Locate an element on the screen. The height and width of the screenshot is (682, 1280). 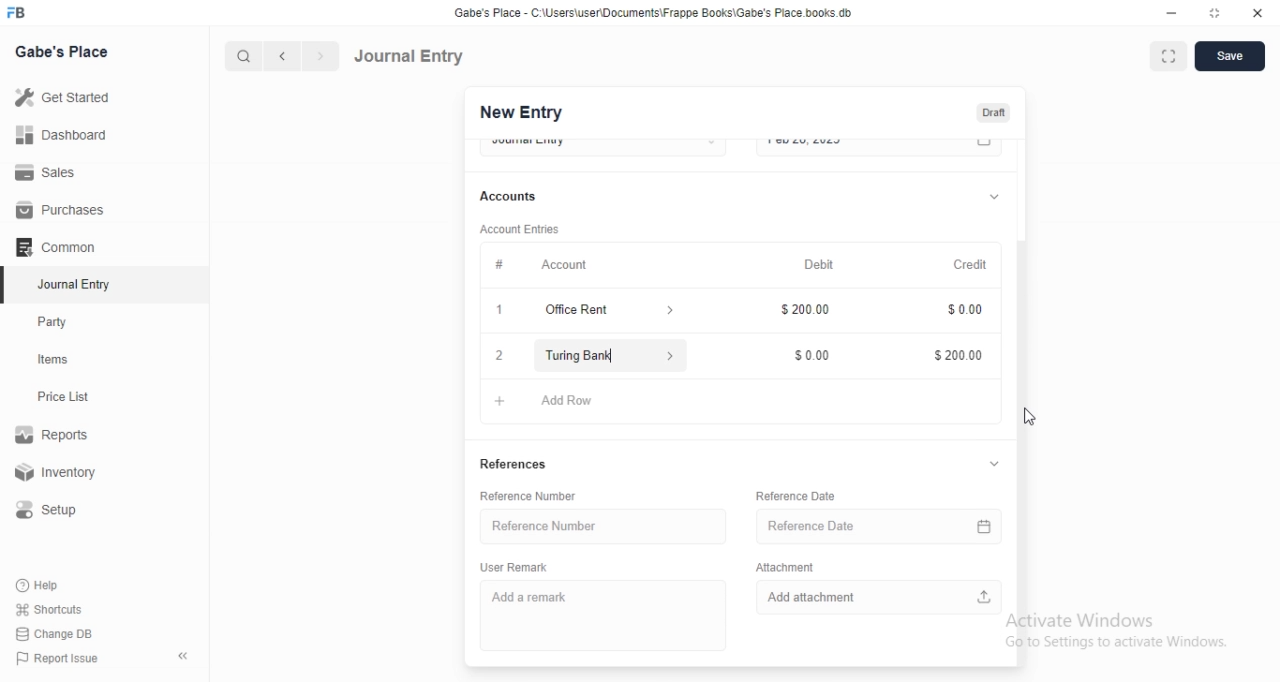
Account Entries. is located at coordinates (518, 229).